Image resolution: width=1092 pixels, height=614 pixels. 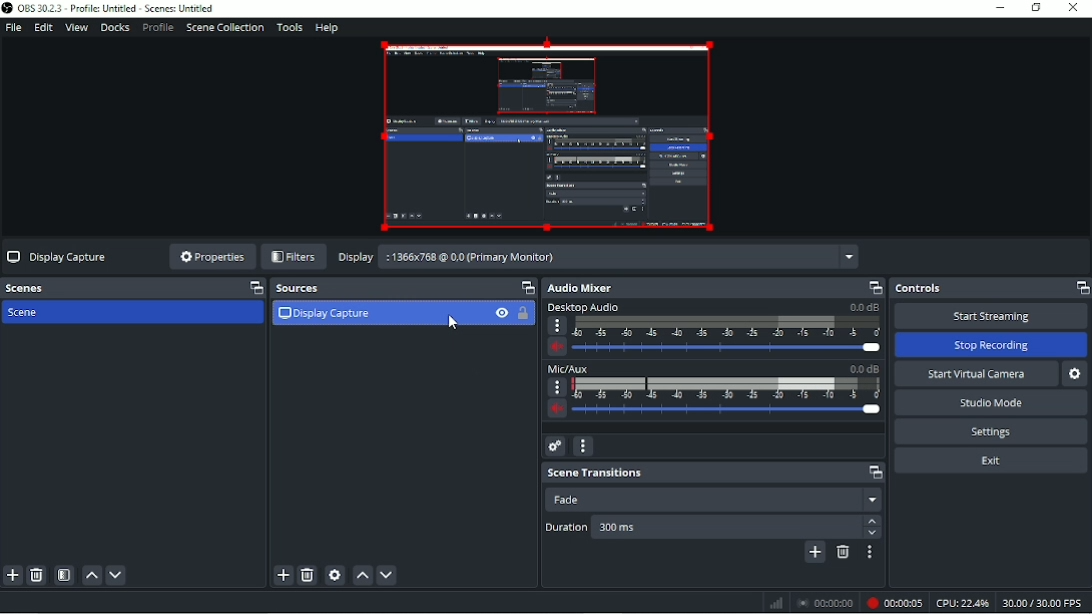 What do you see at coordinates (76, 27) in the screenshot?
I see `View` at bounding box center [76, 27].